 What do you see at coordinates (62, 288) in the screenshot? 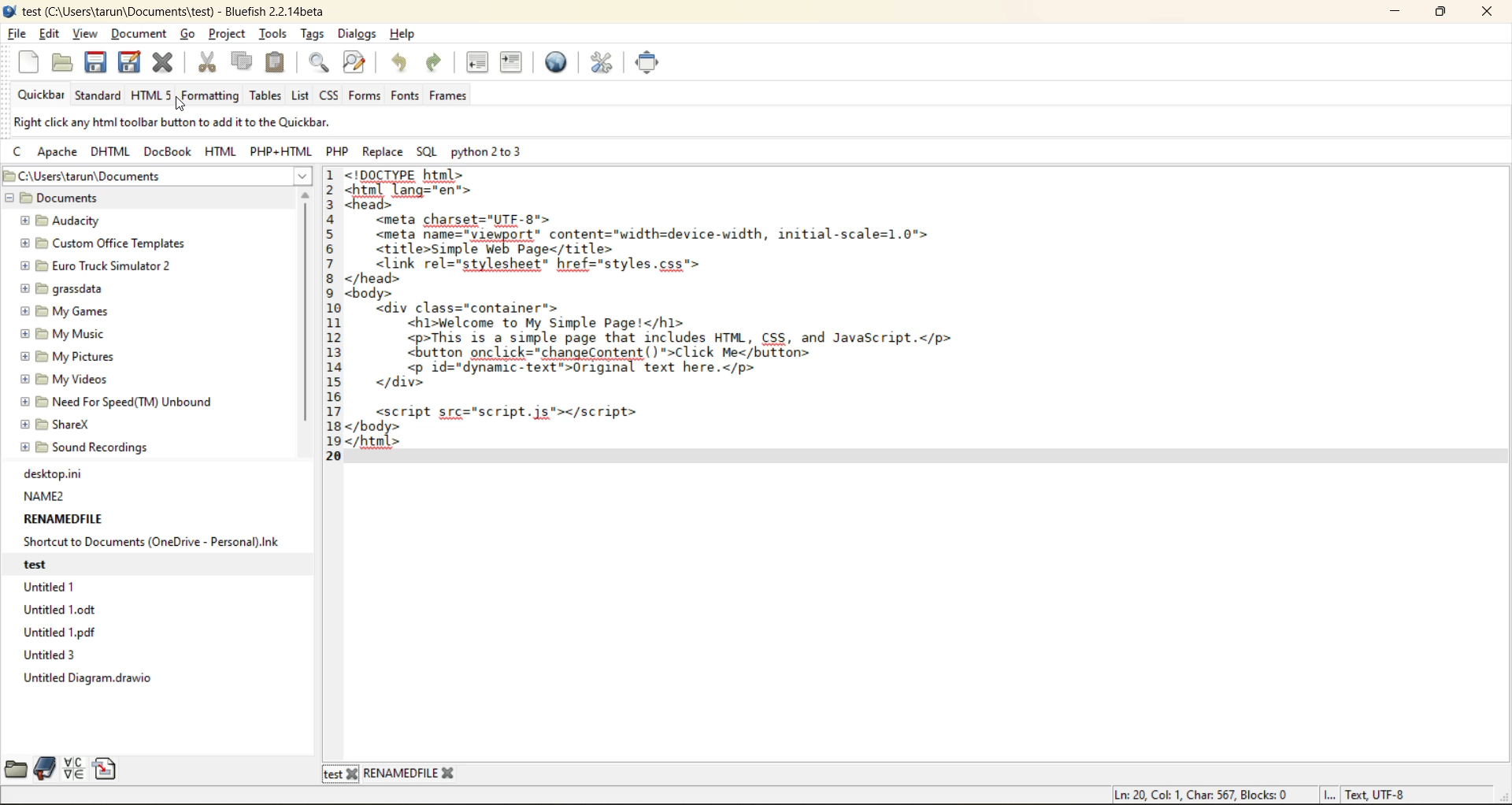
I see `@ [9 grassdata` at bounding box center [62, 288].